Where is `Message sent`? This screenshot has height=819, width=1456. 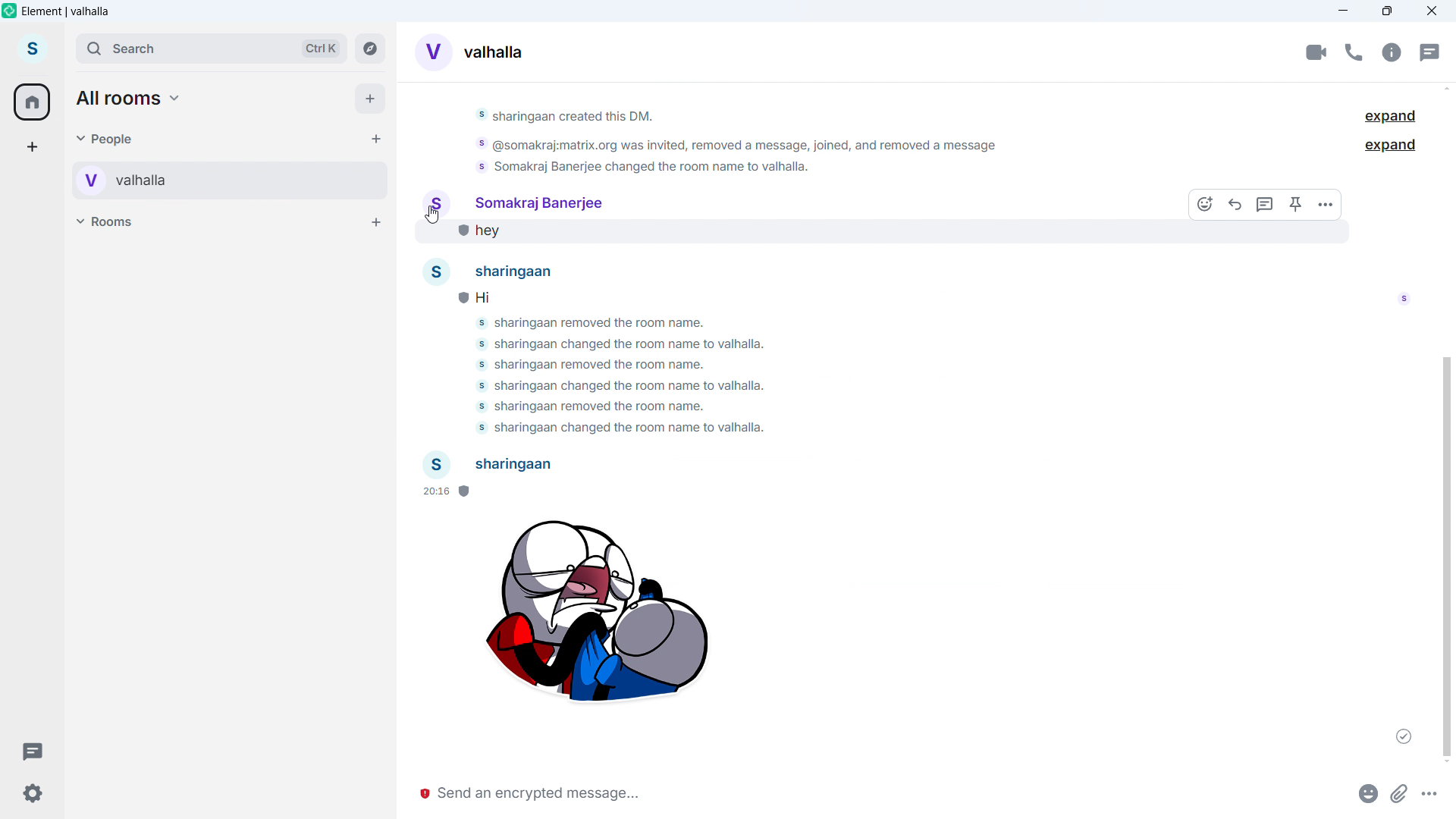 Message sent is located at coordinates (1404, 736).